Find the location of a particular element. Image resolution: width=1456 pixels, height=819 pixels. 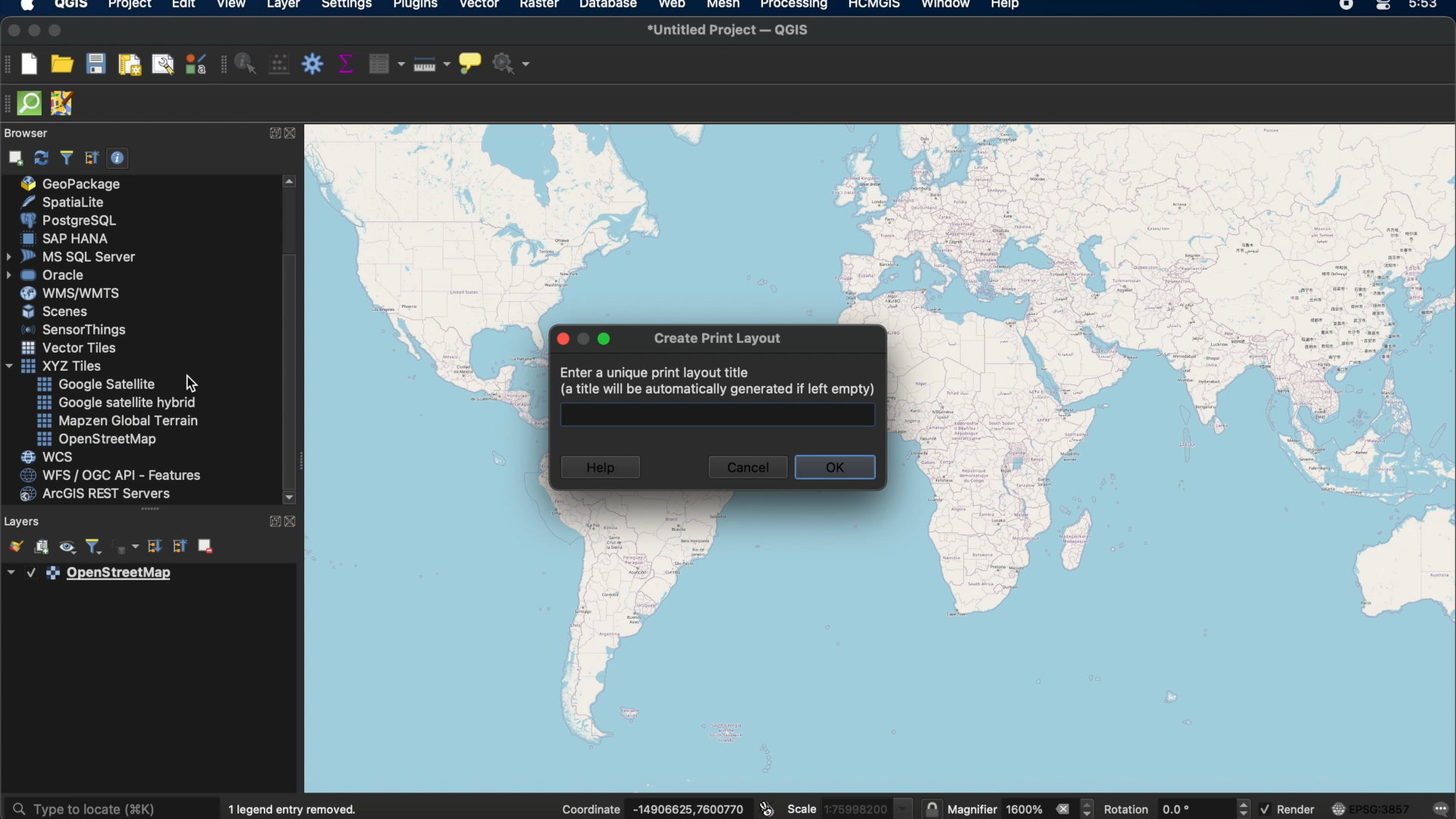

control center is located at coordinates (1384, 8).